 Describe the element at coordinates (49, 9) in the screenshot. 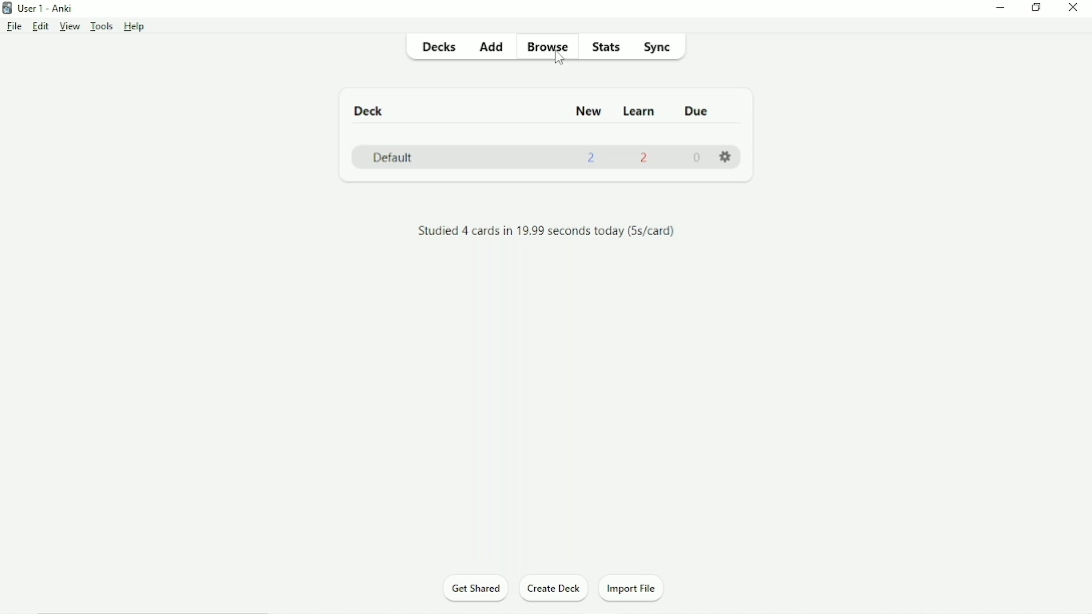

I see `User 1 - Anki` at that location.